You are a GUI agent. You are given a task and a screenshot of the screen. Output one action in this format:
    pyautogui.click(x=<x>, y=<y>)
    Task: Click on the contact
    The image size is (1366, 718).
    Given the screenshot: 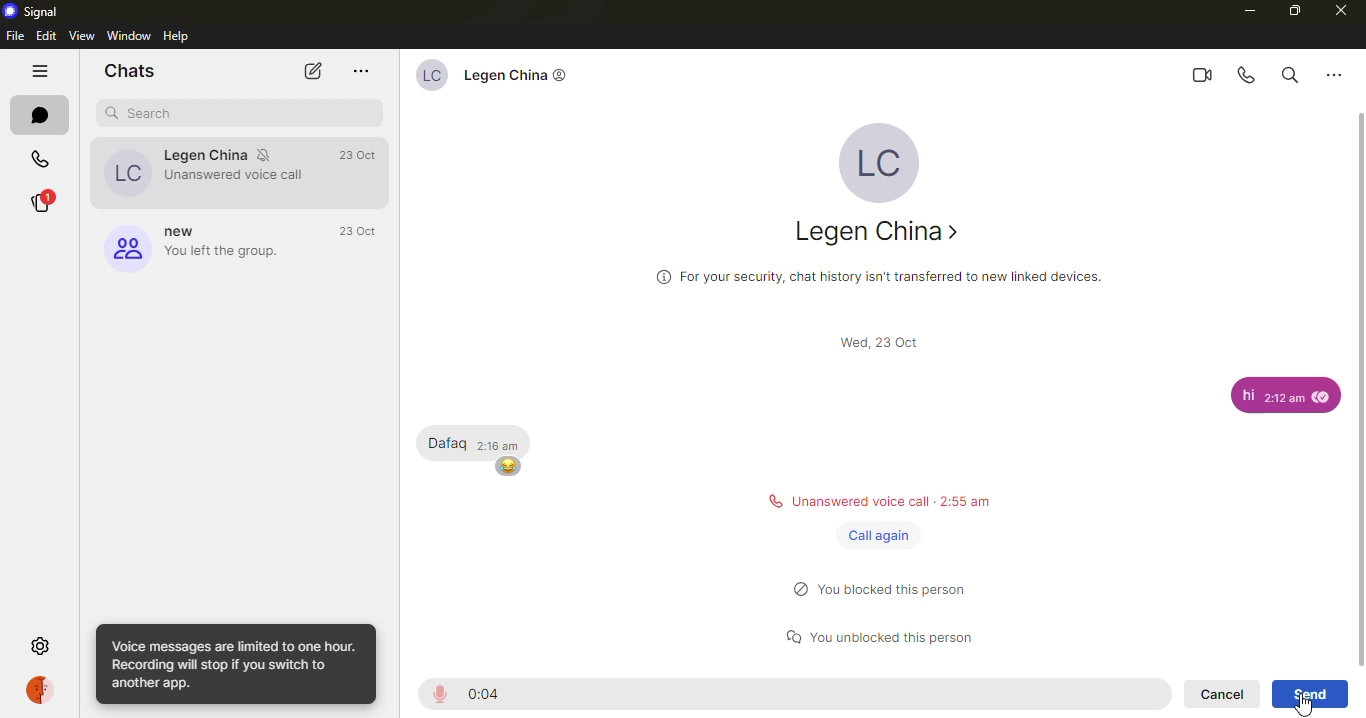 What is the action you would take?
    pyautogui.click(x=238, y=153)
    